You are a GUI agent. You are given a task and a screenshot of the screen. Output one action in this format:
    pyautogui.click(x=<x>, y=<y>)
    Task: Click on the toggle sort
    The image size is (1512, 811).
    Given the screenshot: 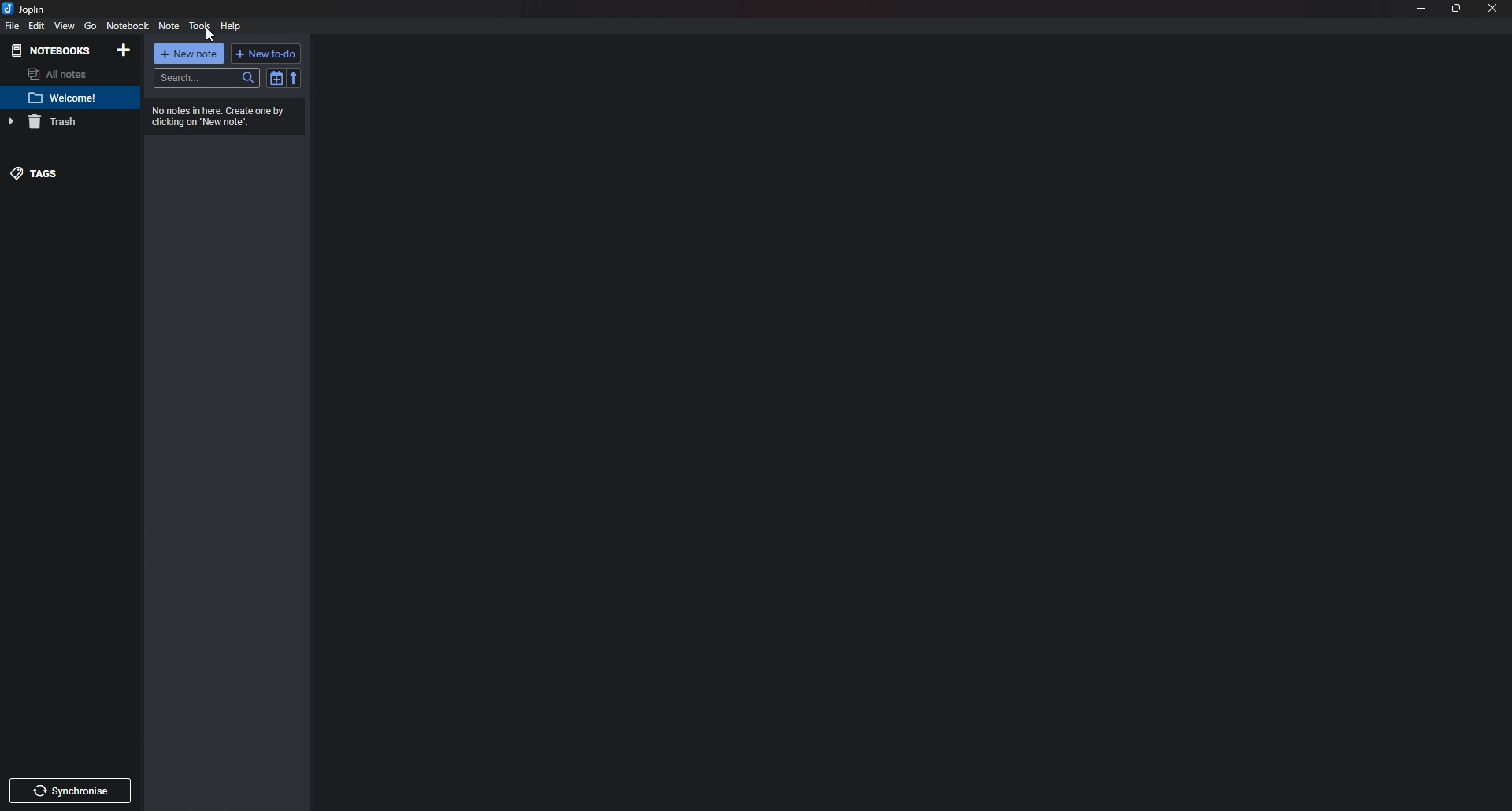 What is the action you would take?
    pyautogui.click(x=276, y=78)
    